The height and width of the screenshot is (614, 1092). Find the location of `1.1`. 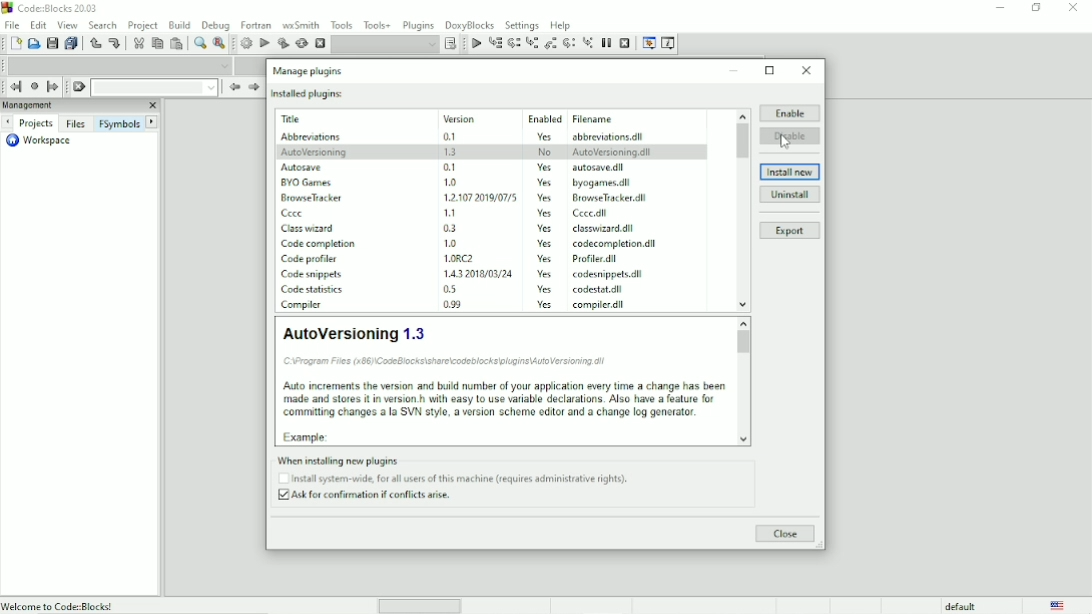

1.1 is located at coordinates (452, 212).